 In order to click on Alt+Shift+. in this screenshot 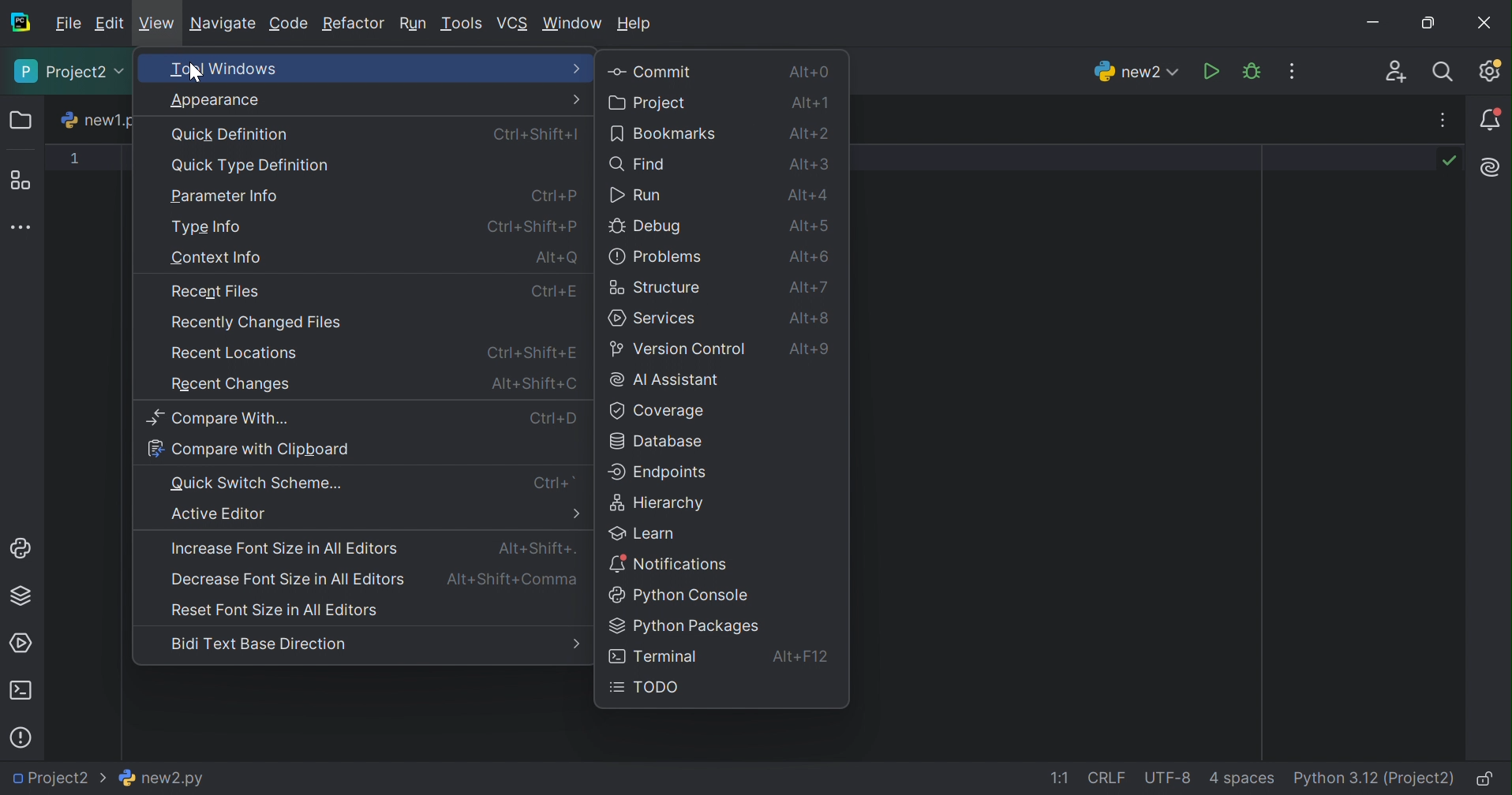, I will do `click(538, 549)`.